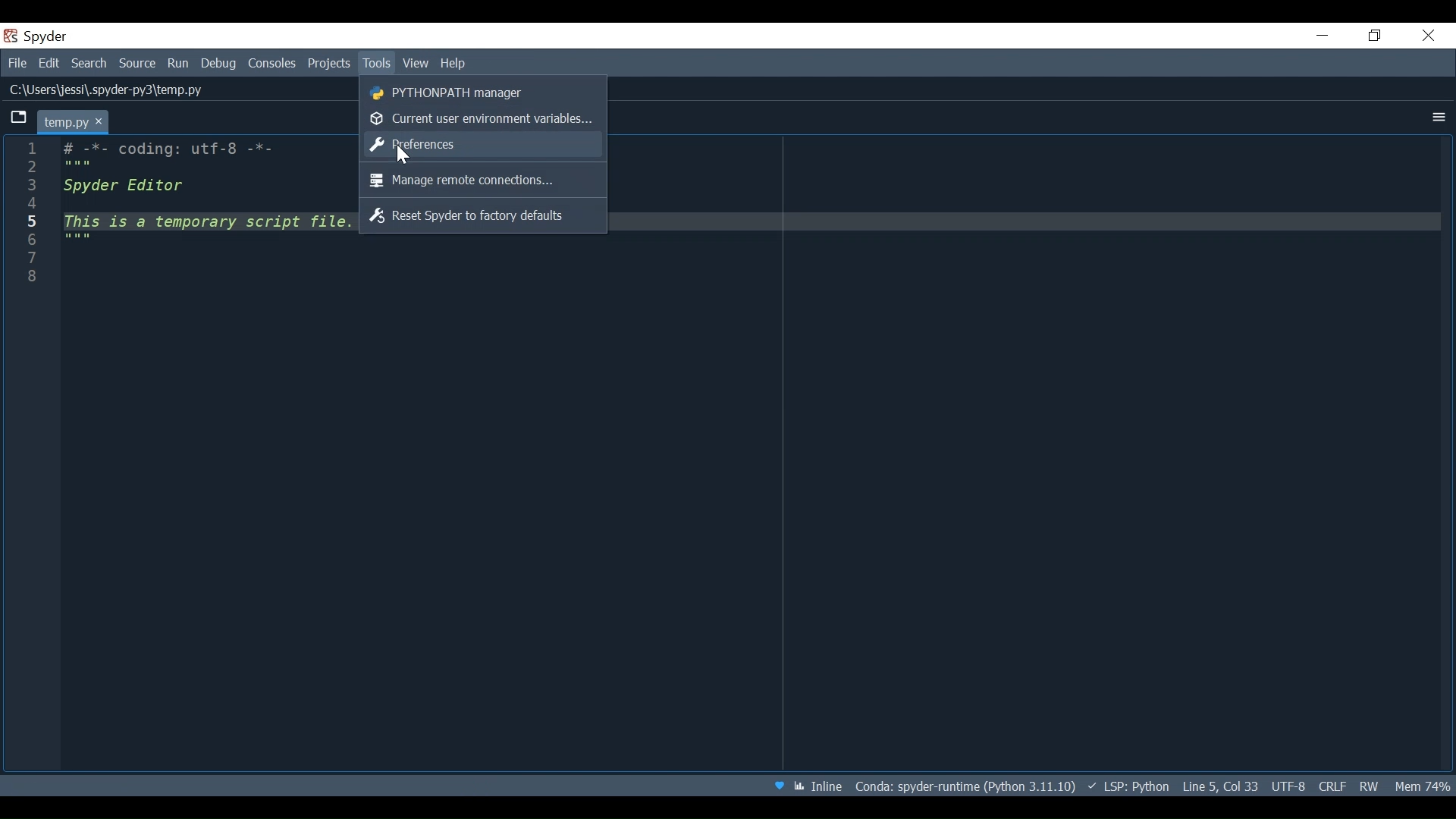 This screenshot has height=819, width=1456. I want to click on File Directory, so click(963, 784).